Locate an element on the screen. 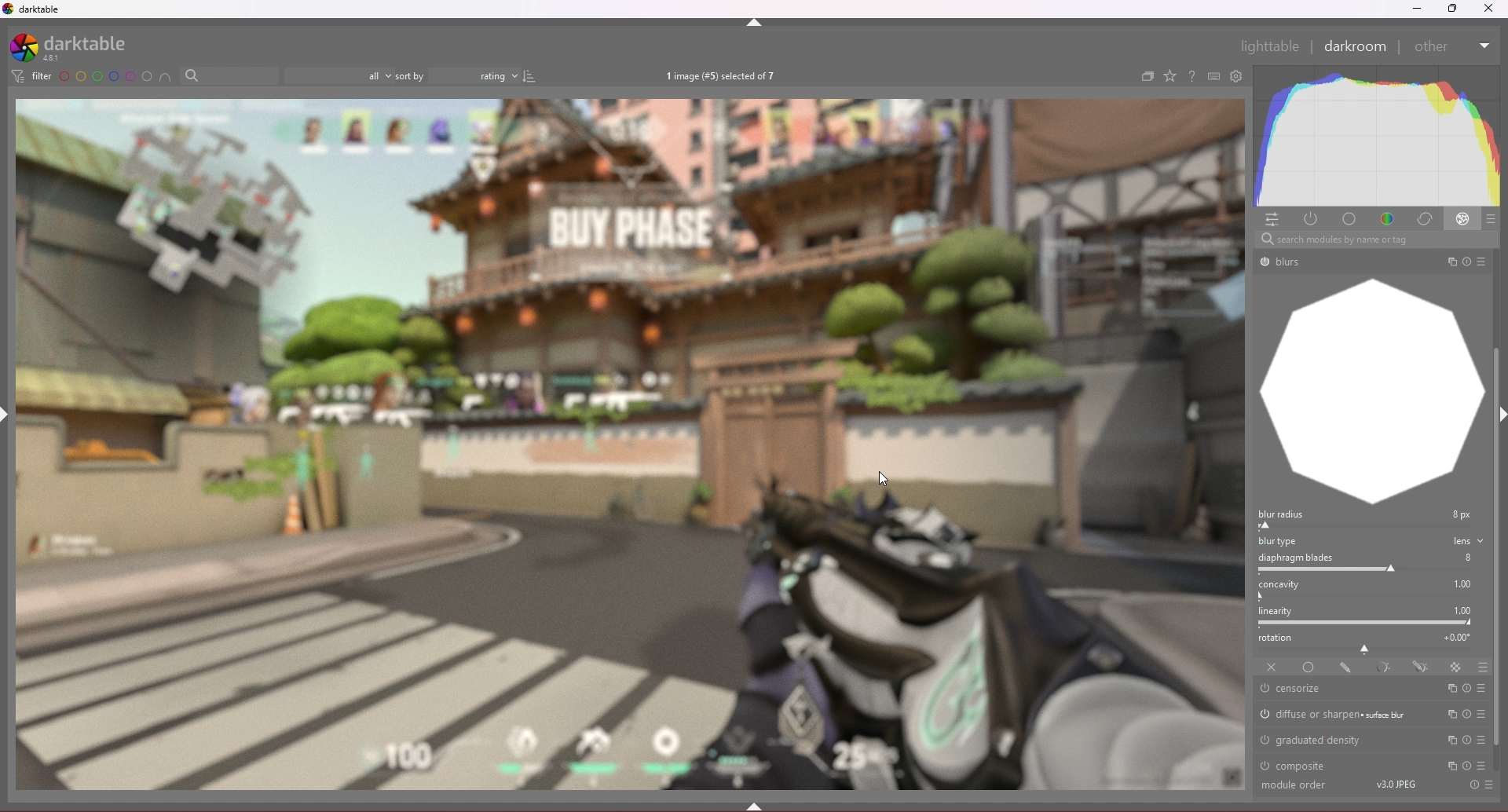  effect is located at coordinates (1463, 218).